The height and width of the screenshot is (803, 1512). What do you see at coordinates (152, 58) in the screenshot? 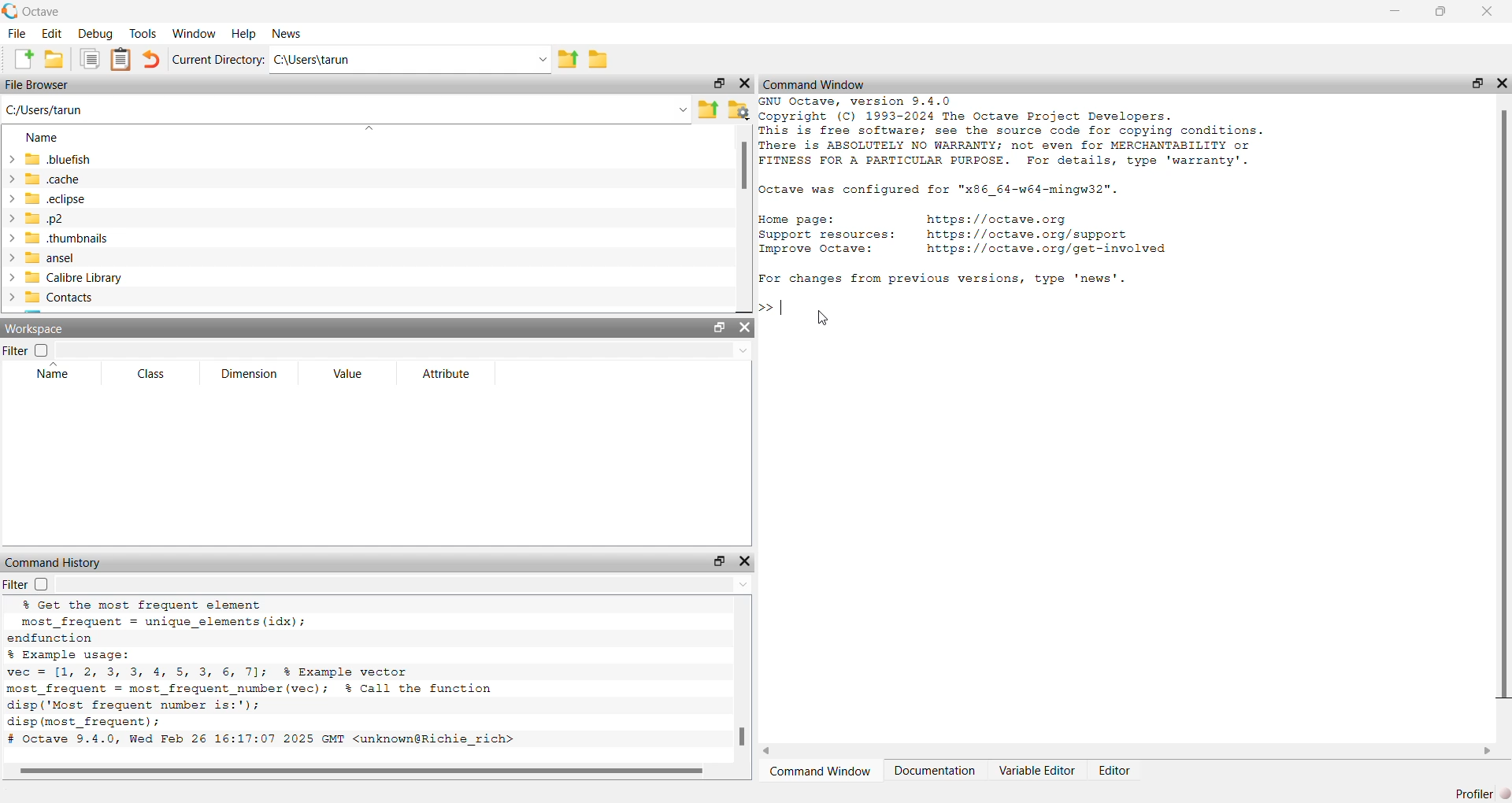
I see `Undo` at bounding box center [152, 58].